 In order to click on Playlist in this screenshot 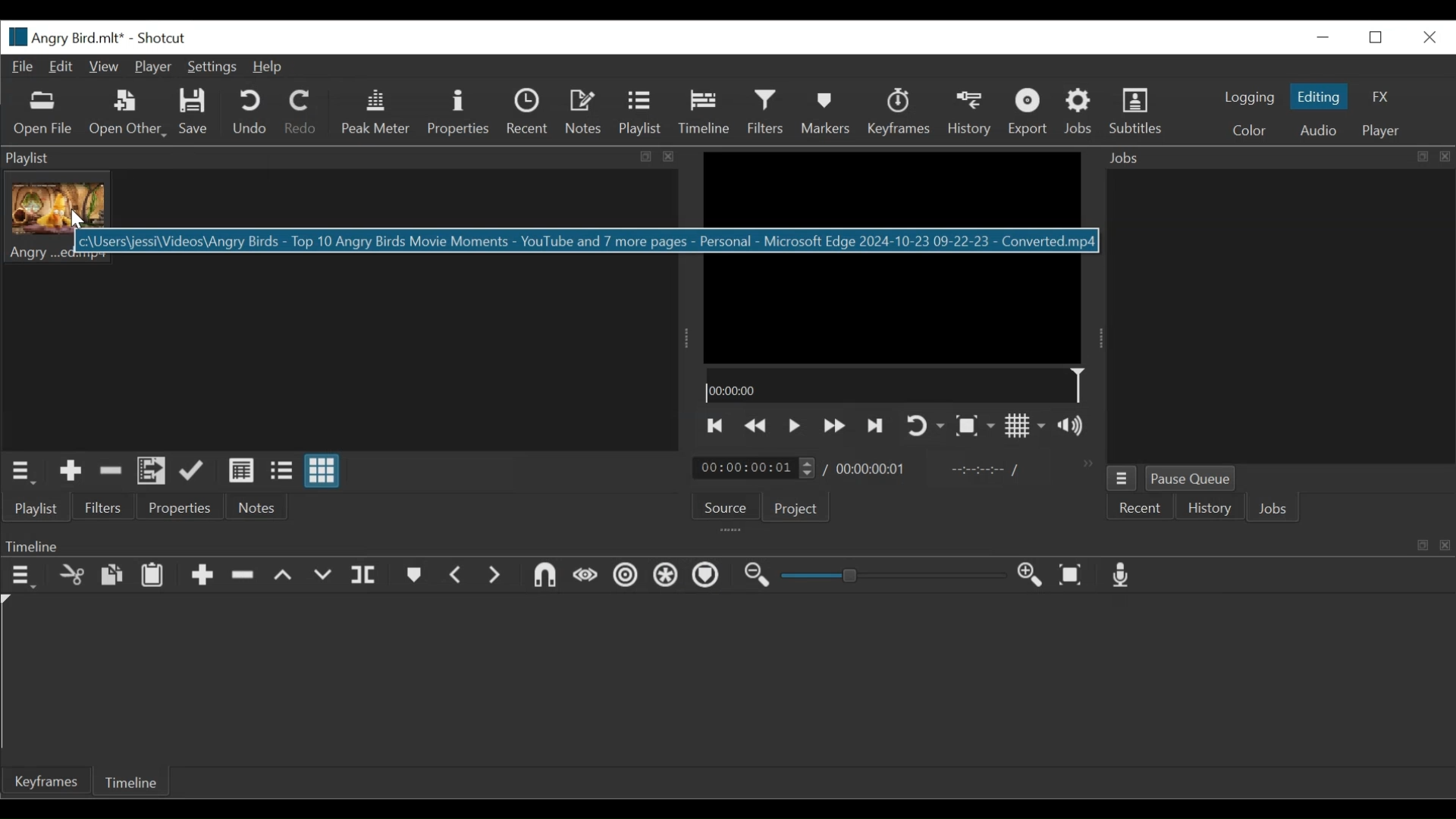, I will do `click(44, 507)`.